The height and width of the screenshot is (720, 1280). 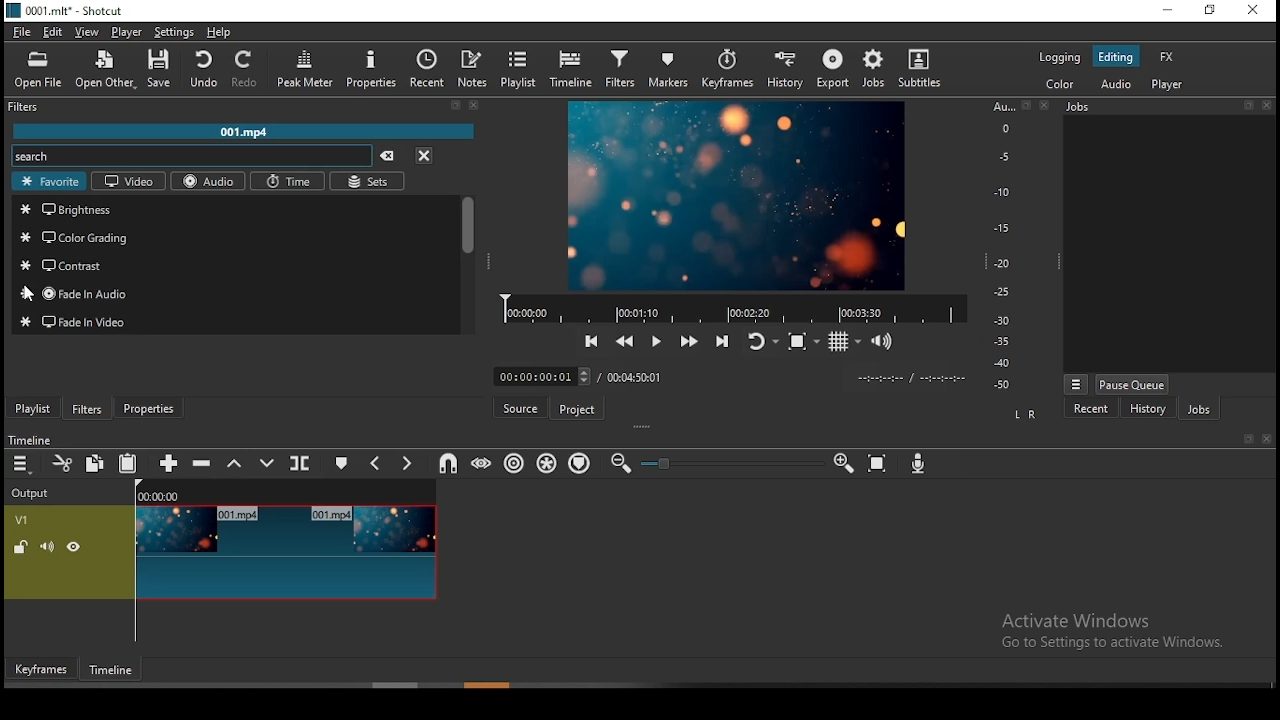 I want to click on view as tiles, so click(x=232, y=378).